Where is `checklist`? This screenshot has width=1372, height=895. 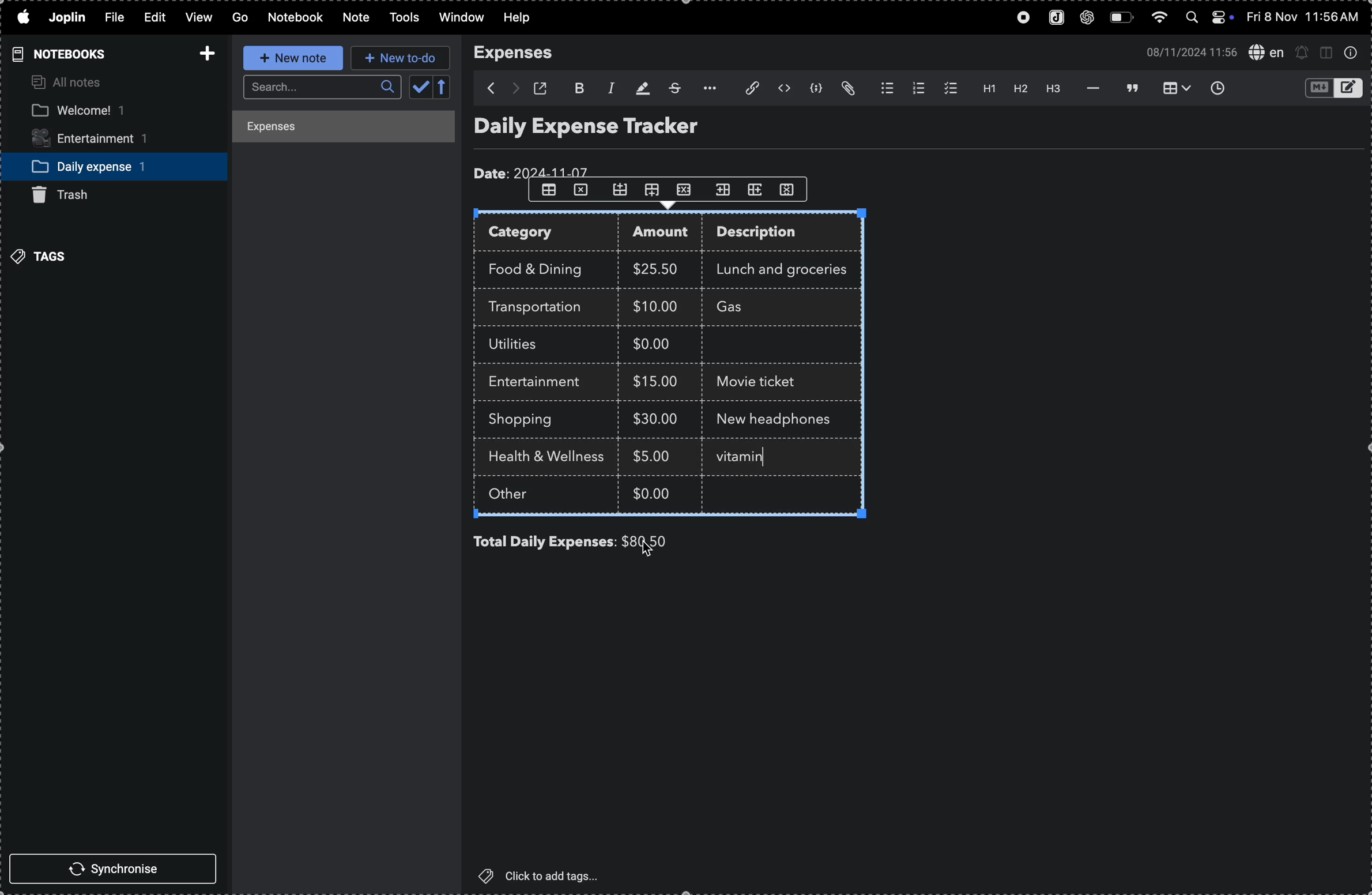
checklist is located at coordinates (948, 88).